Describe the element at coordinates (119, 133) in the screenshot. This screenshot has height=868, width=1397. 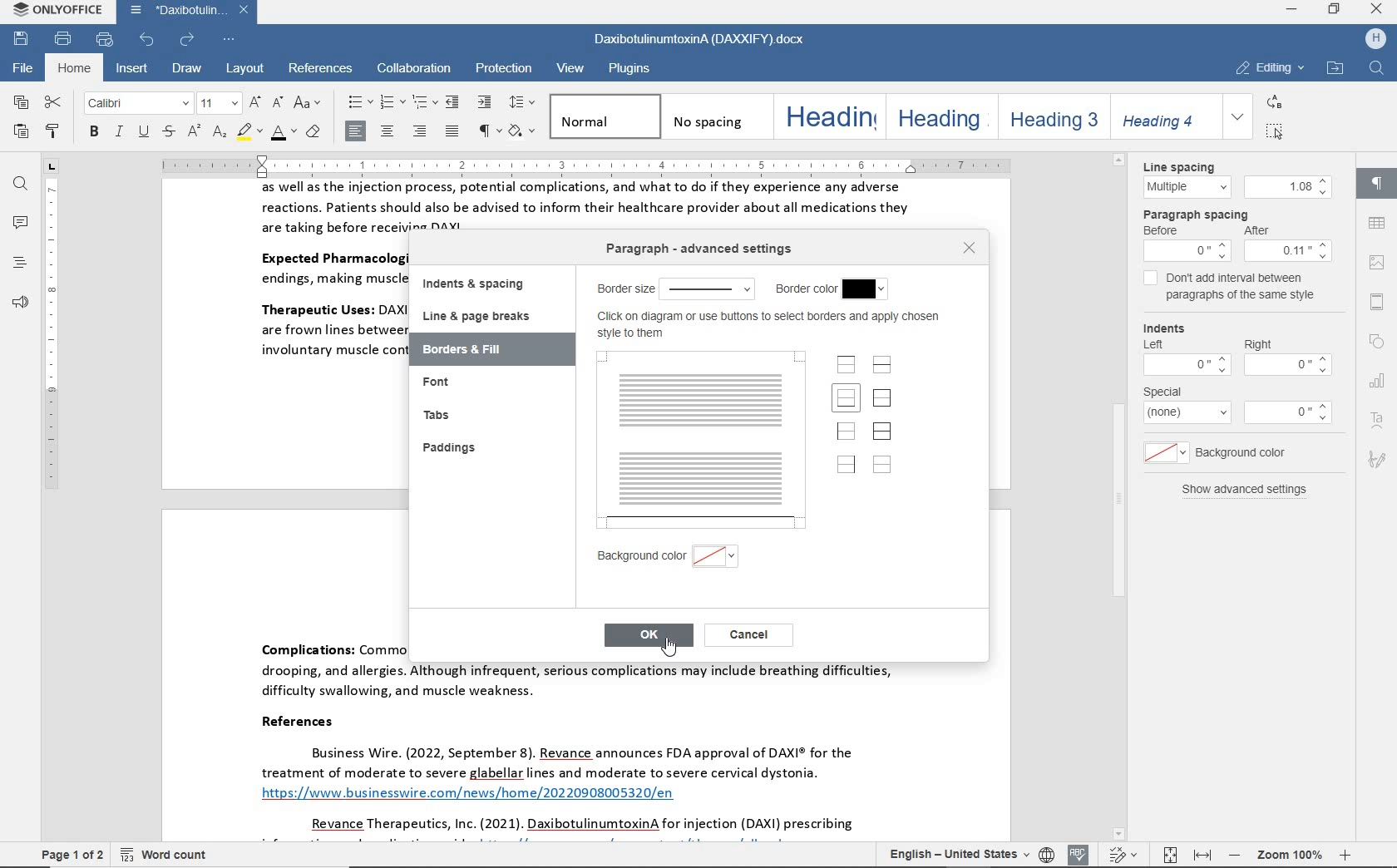
I see `italic` at that location.